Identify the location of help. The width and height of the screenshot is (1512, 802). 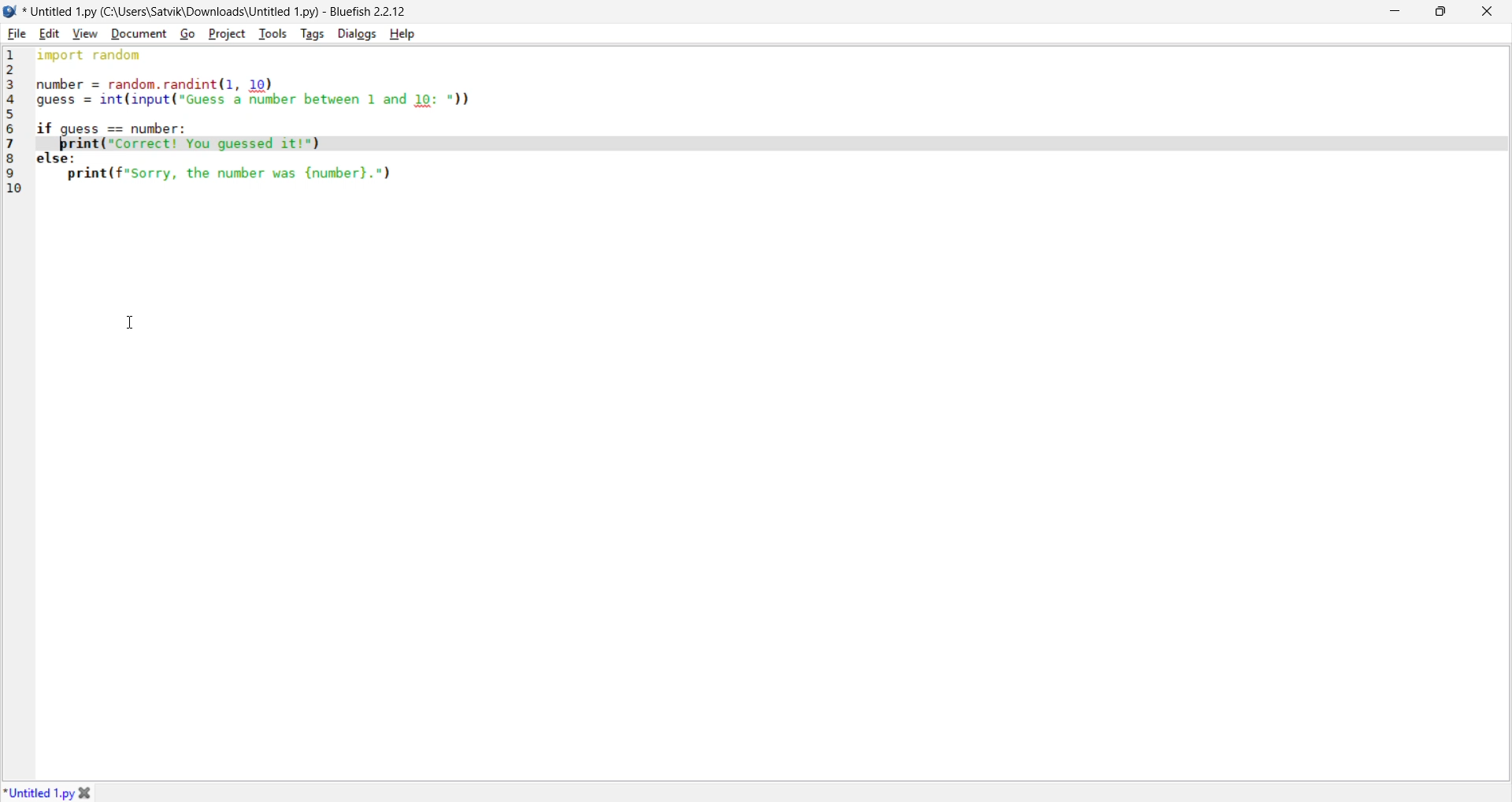
(403, 34).